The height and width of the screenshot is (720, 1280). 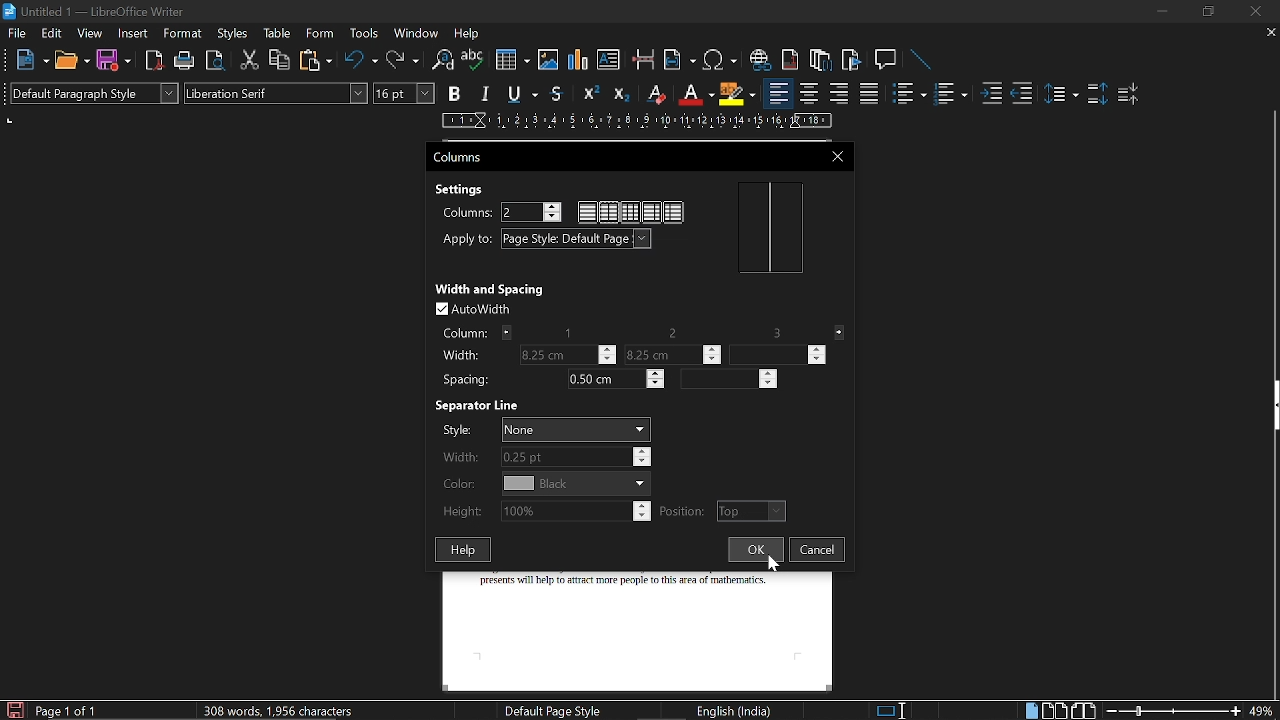 I want to click on Align left, so click(x=778, y=93).